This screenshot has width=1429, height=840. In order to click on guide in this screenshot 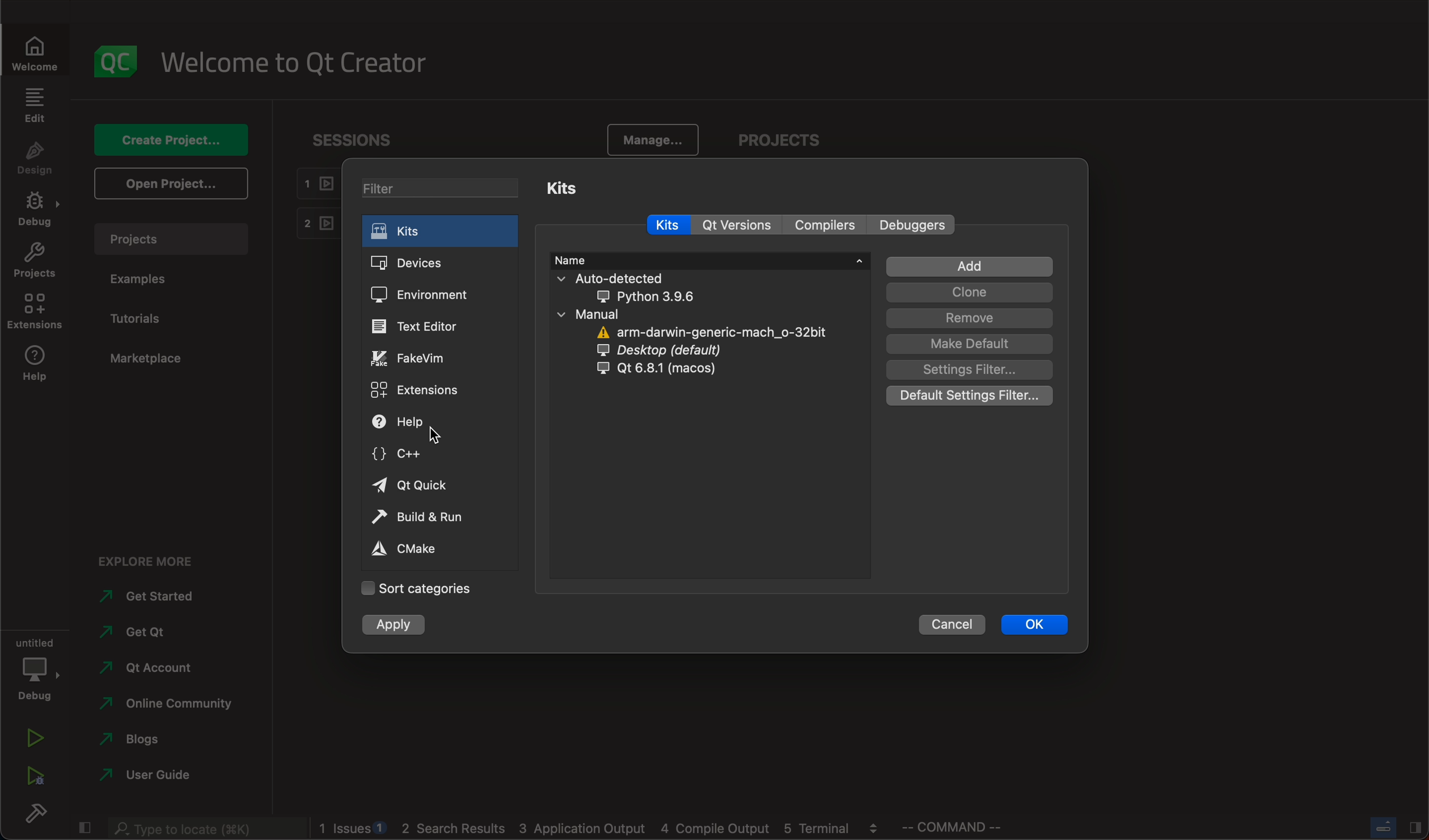, I will do `click(146, 775)`.